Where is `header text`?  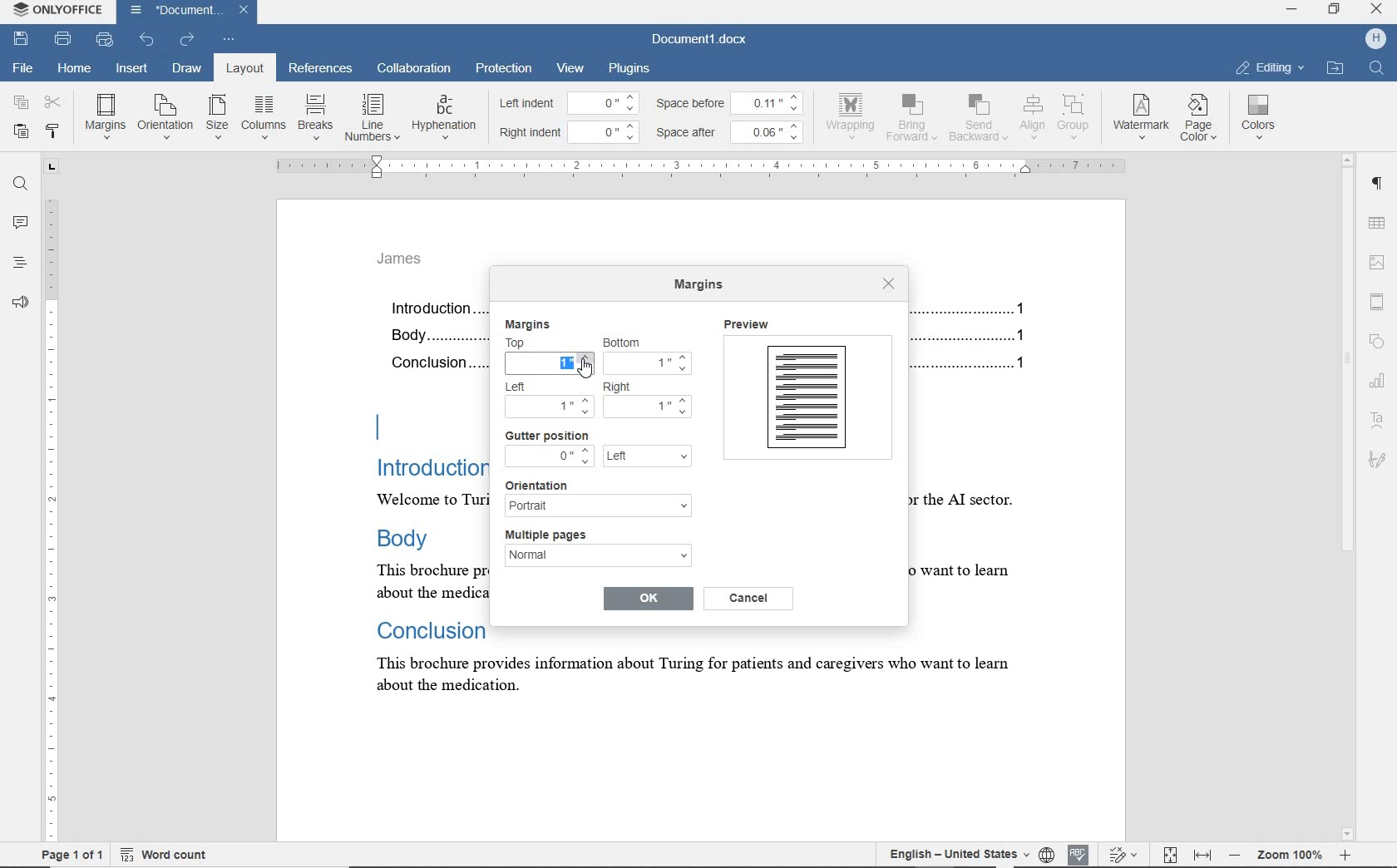 header text is located at coordinates (407, 264).